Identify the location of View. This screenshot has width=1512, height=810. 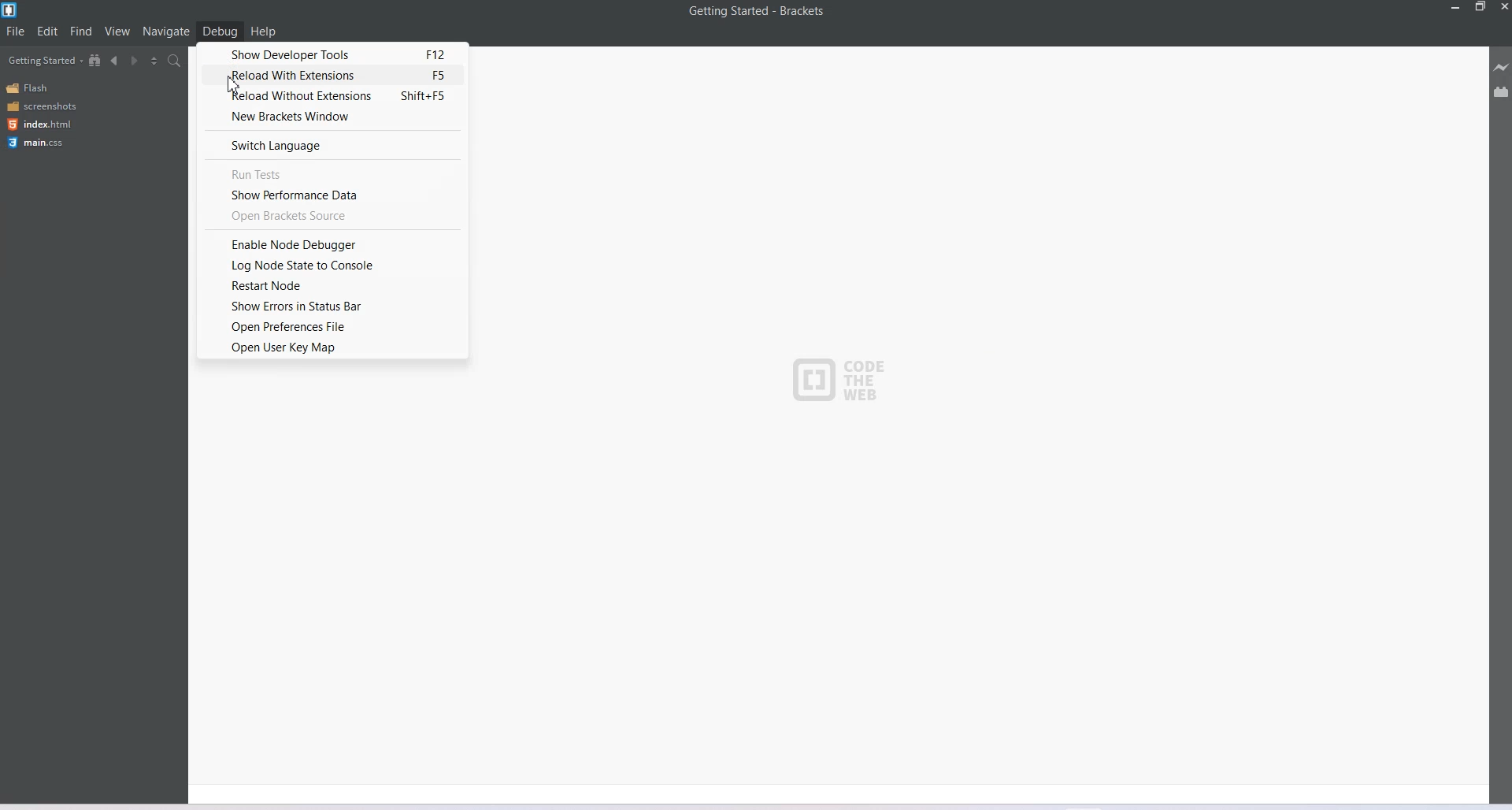
(117, 30).